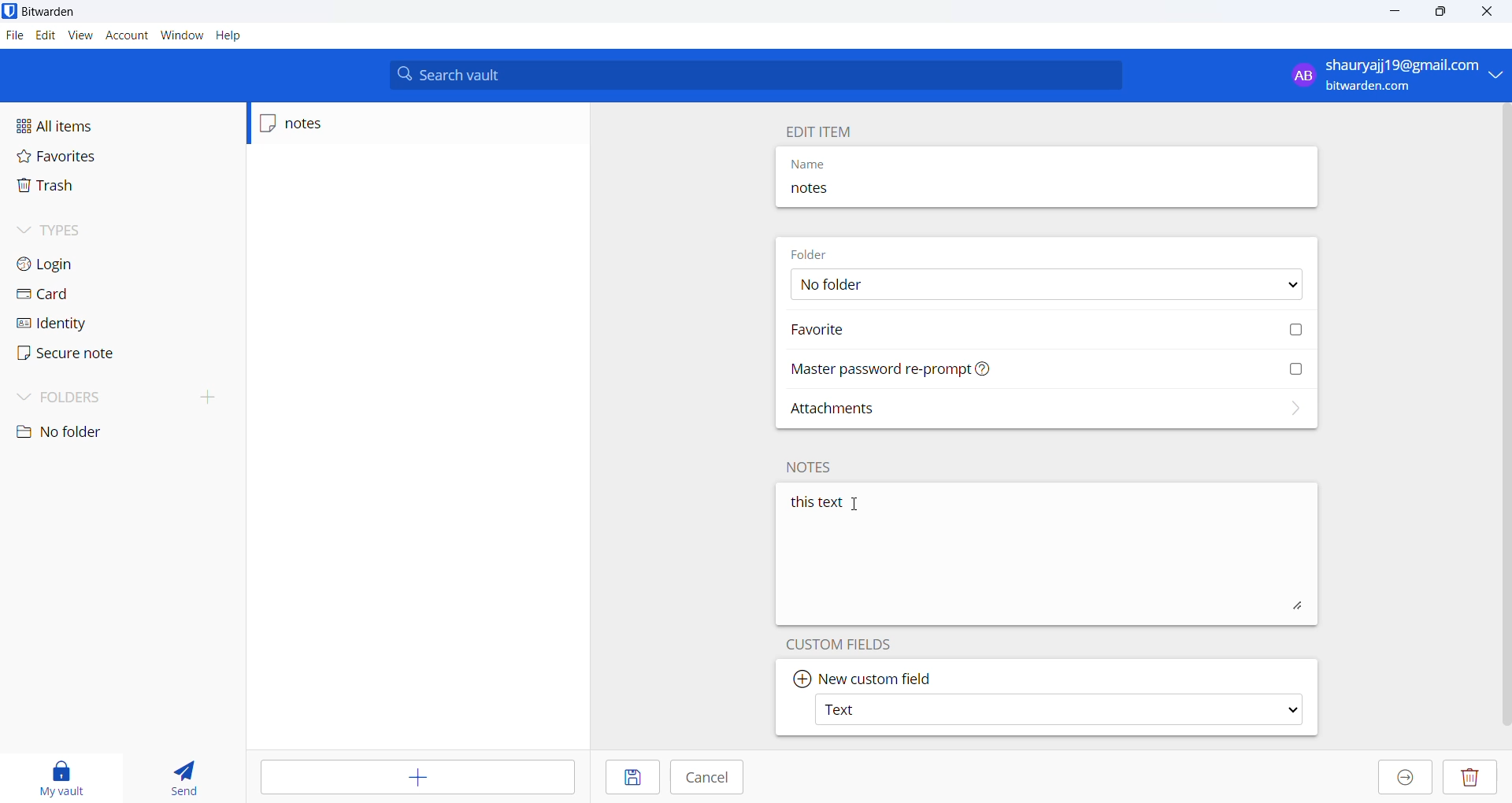  I want to click on view, so click(79, 35).